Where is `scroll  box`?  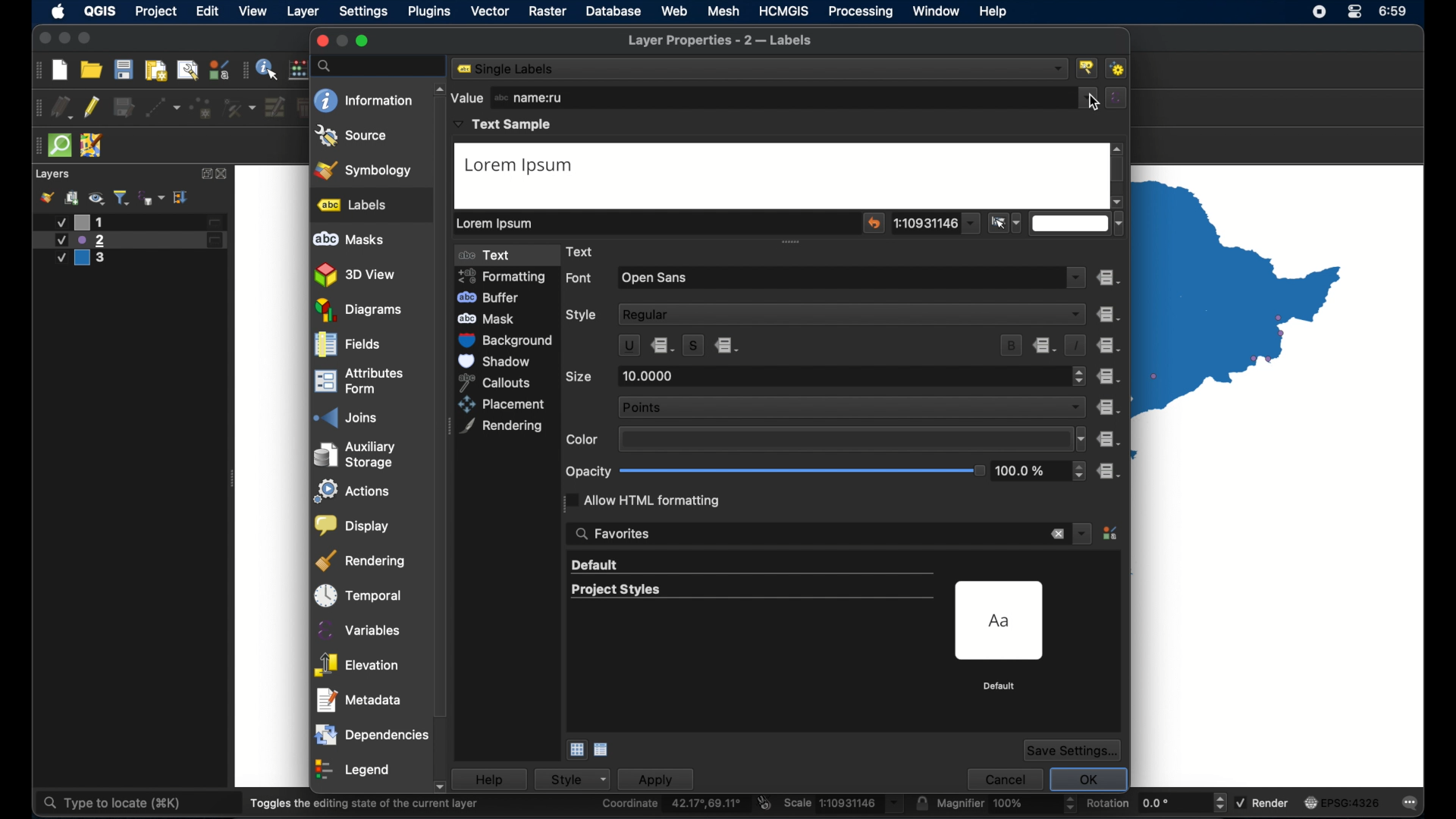 scroll  box is located at coordinates (1119, 171).